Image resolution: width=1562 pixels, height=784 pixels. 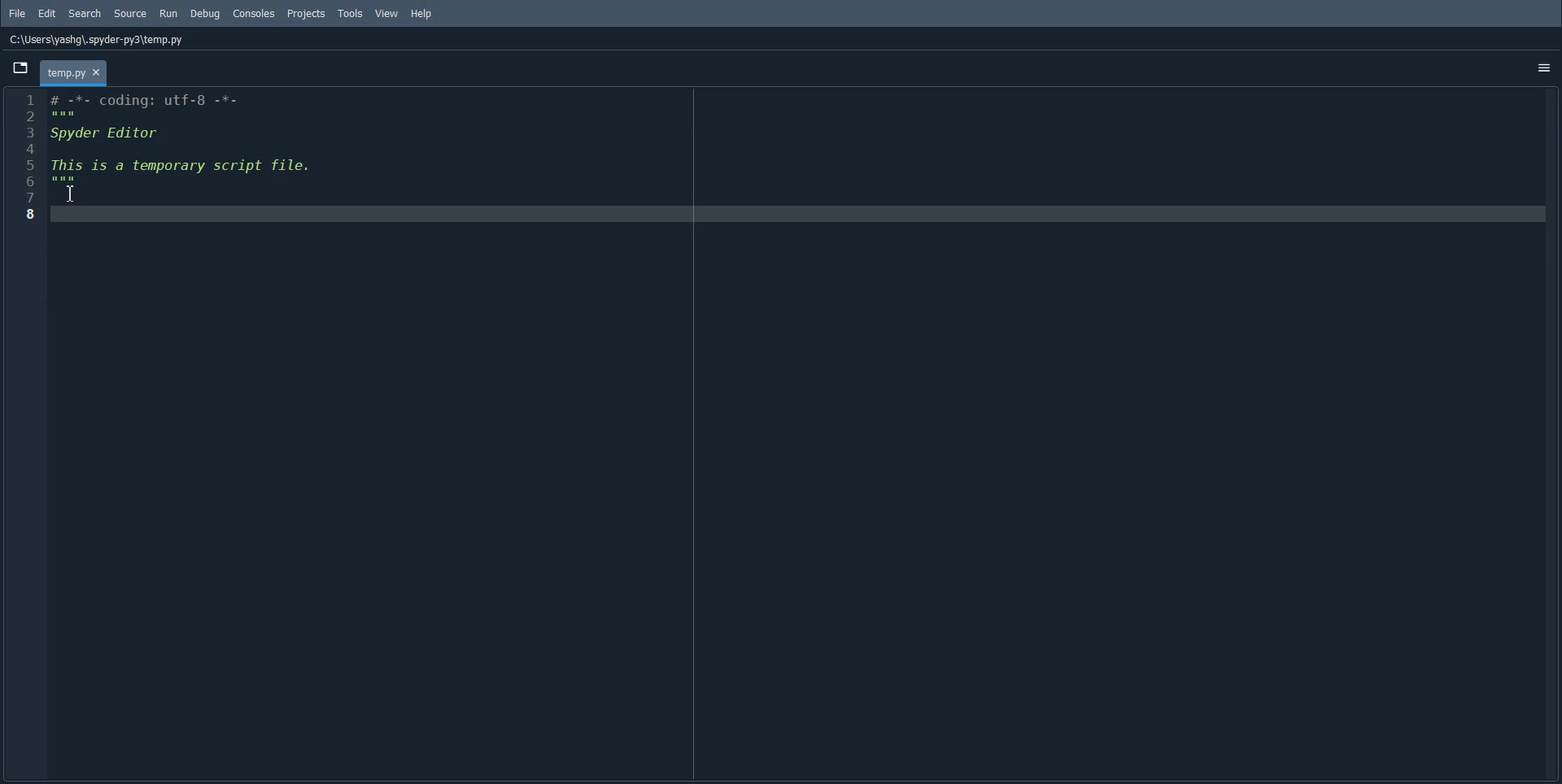 I want to click on Tools, so click(x=353, y=14).